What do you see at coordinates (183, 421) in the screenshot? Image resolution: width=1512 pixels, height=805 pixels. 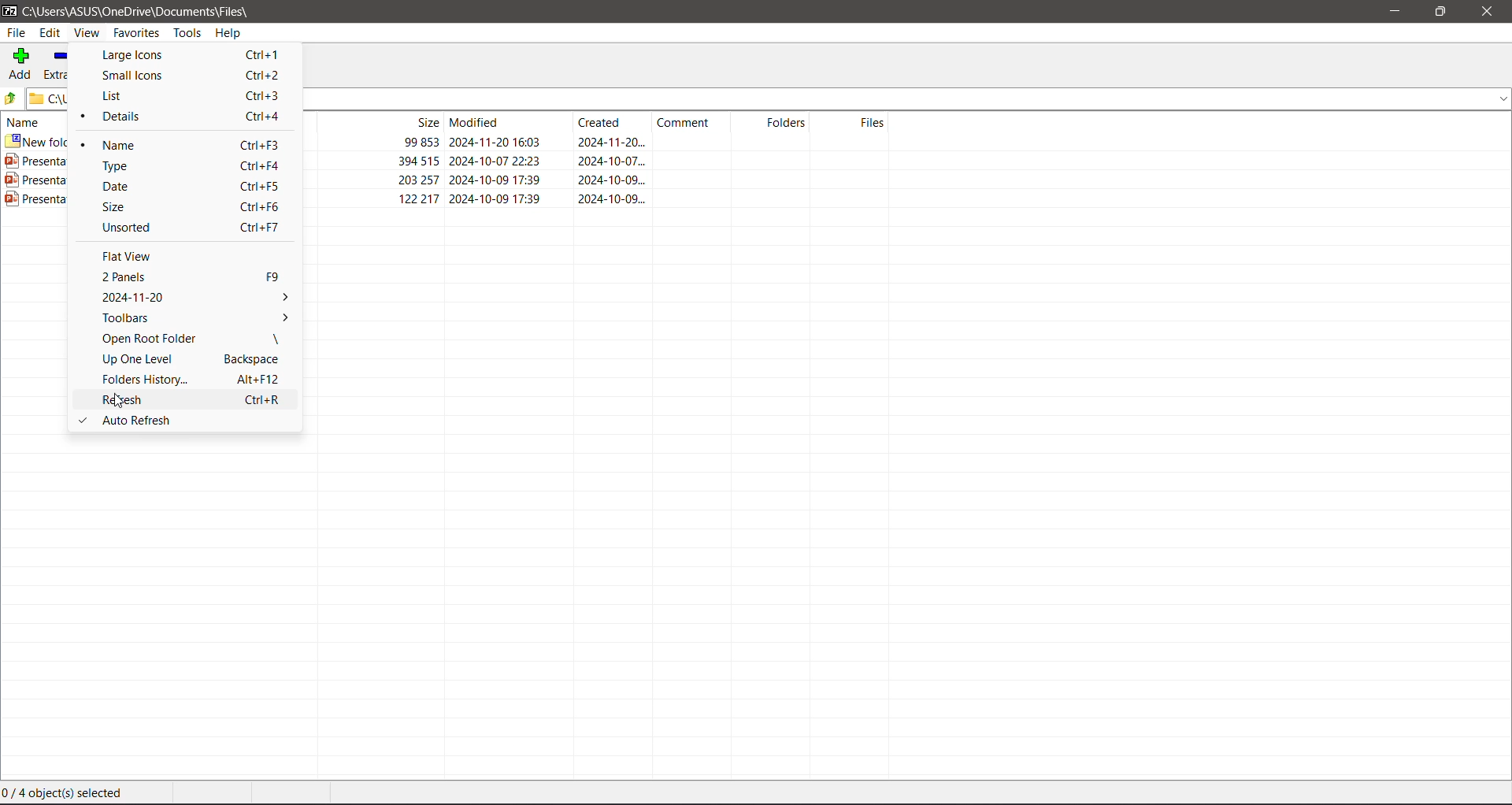 I see `Auto Refresh` at bounding box center [183, 421].